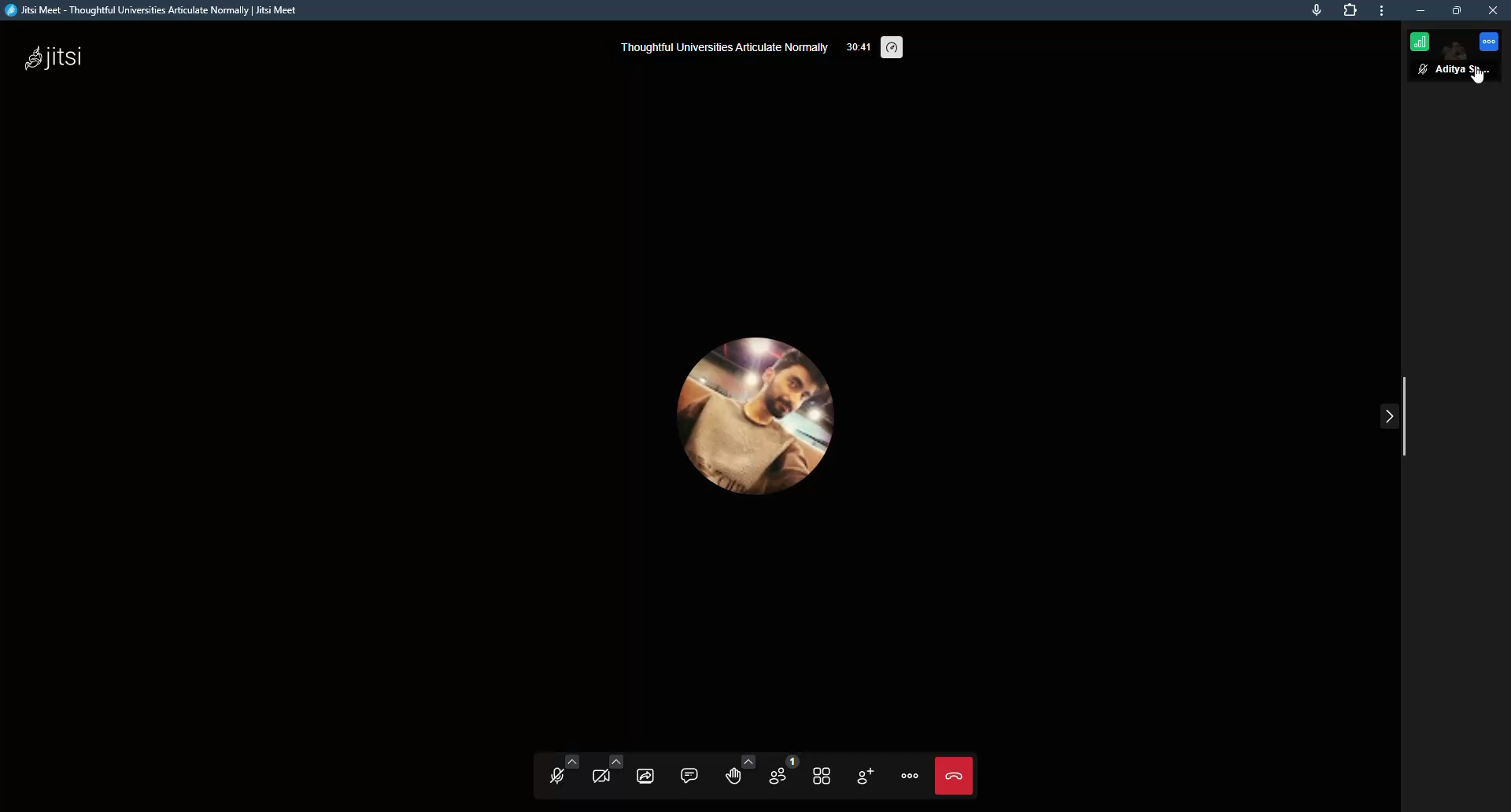 The height and width of the screenshot is (812, 1511). What do you see at coordinates (1423, 42) in the screenshot?
I see `connection` at bounding box center [1423, 42].